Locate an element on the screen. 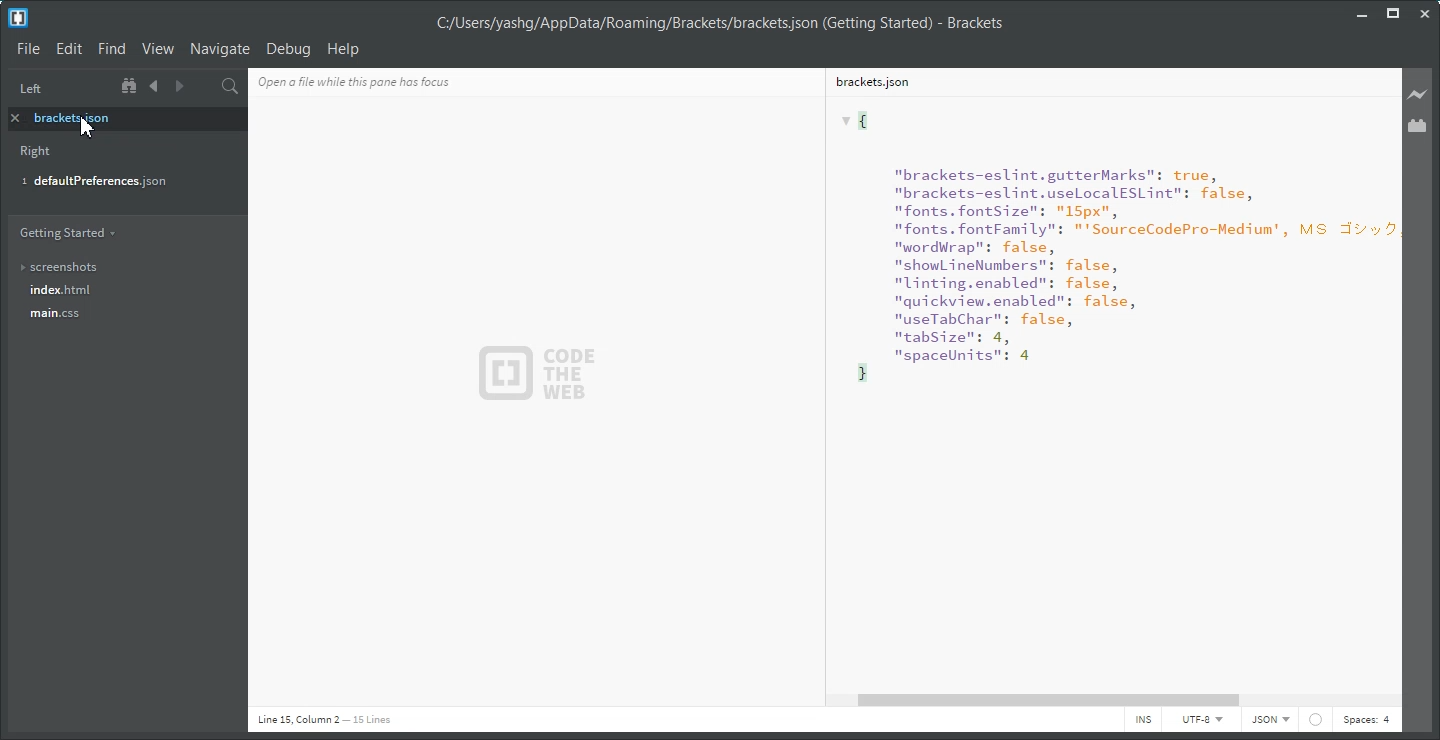 The height and width of the screenshot is (740, 1440). Minimize is located at coordinates (1363, 12).